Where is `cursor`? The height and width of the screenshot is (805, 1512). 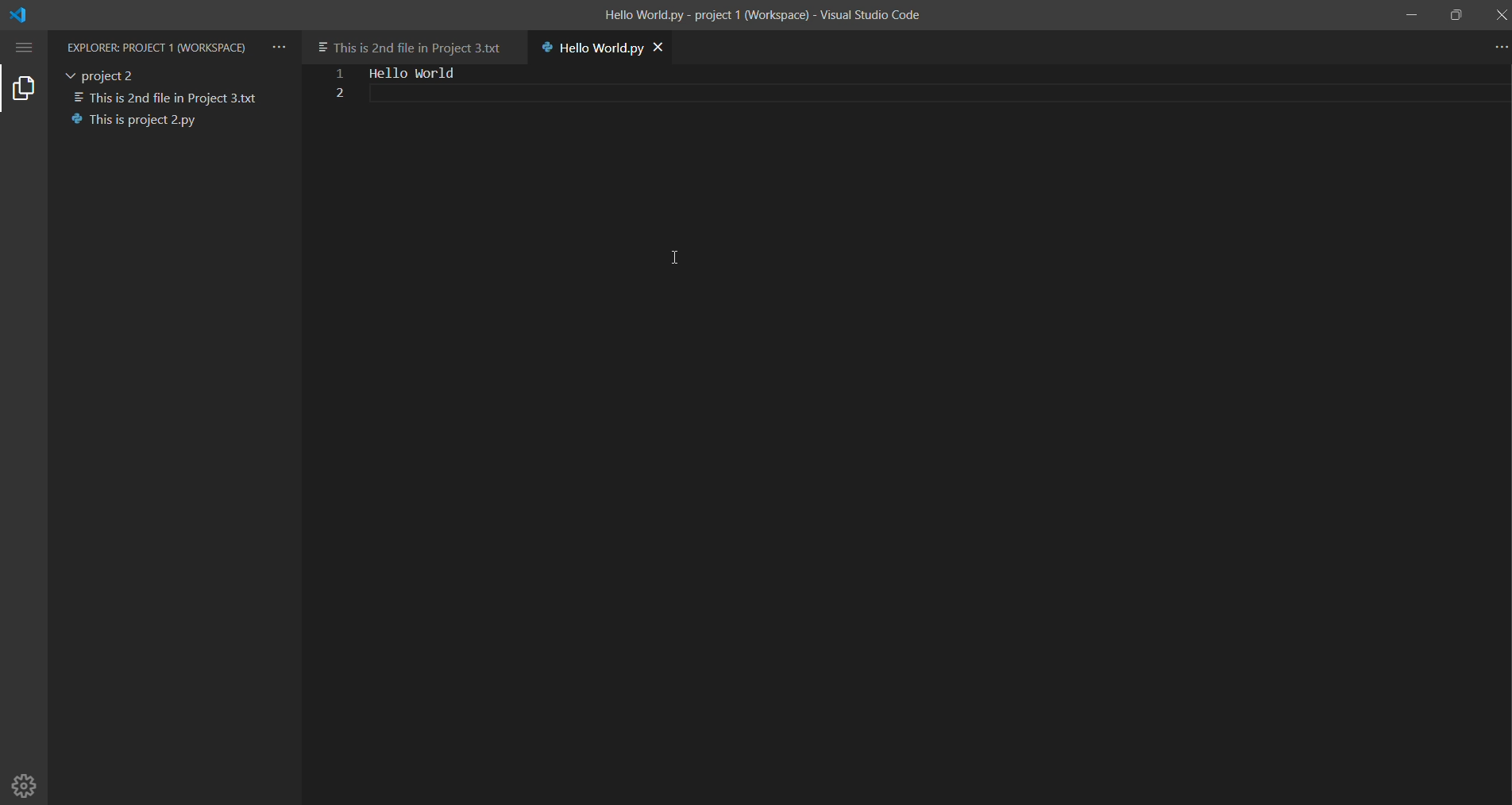 cursor is located at coordinates (673, 256).